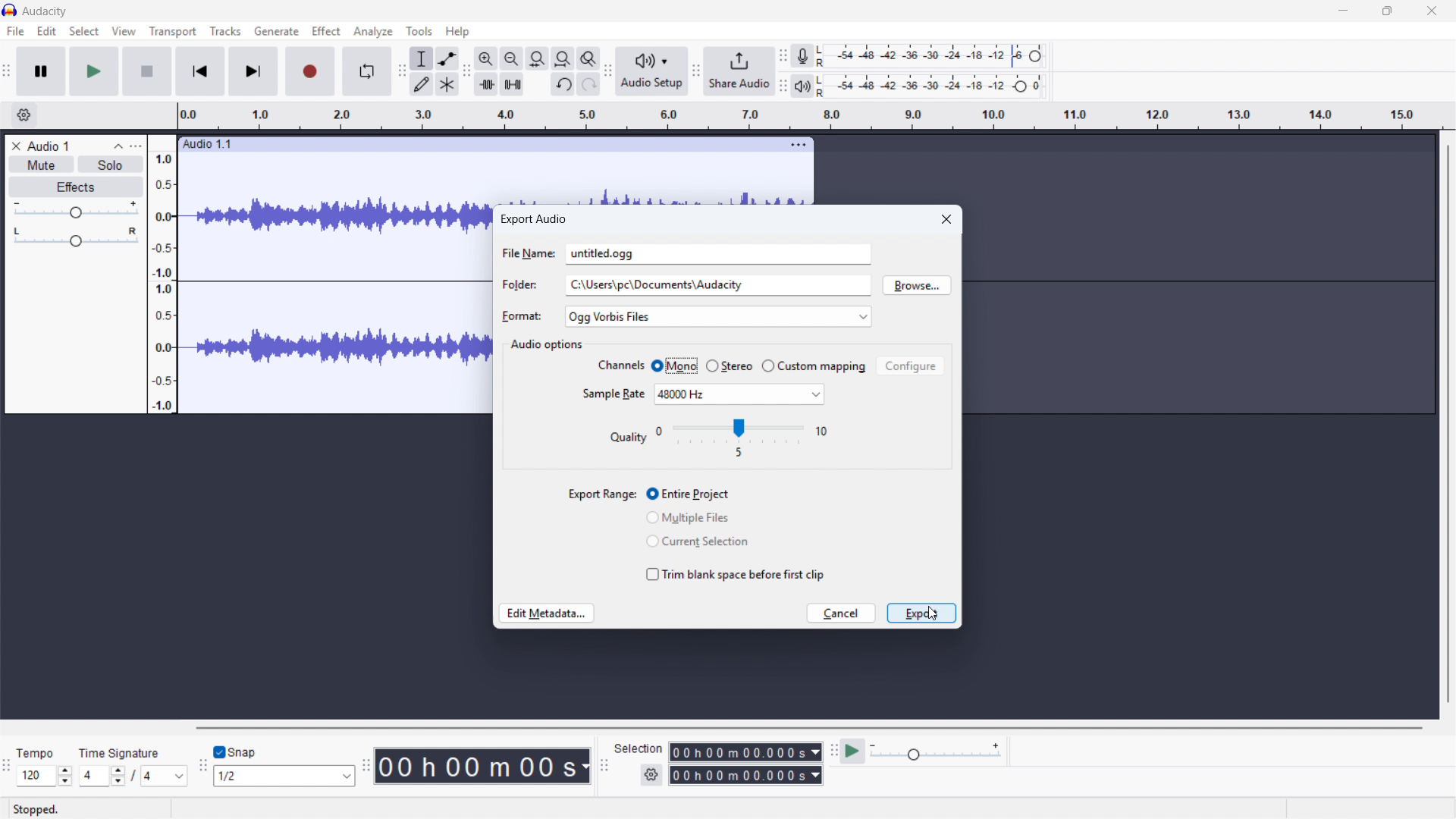 Image resolution: width=1456 pixels, height=819 pixels. I want to click on minimise , so click(1341, 11).